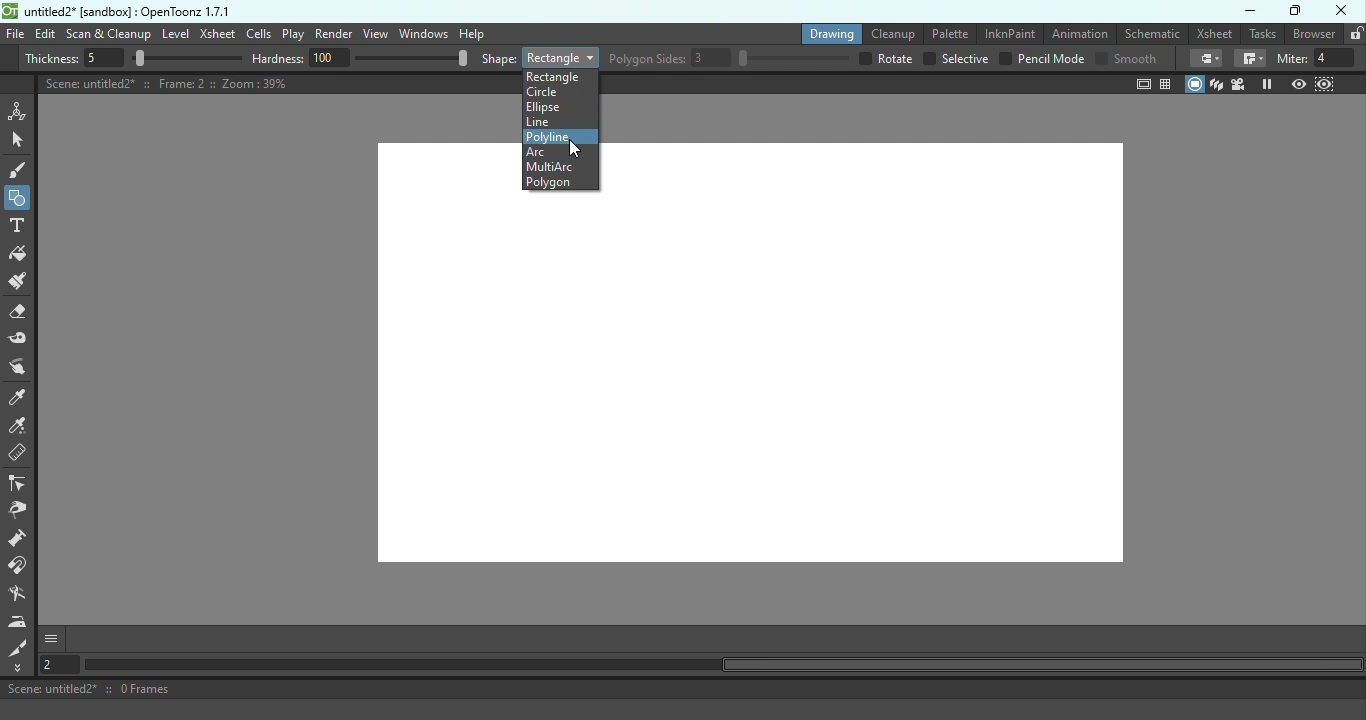 This screenshot has height=720, width=1366. Describe the element at coordinates (549, 137) in the screenshot. I see `Polyline` at that location.